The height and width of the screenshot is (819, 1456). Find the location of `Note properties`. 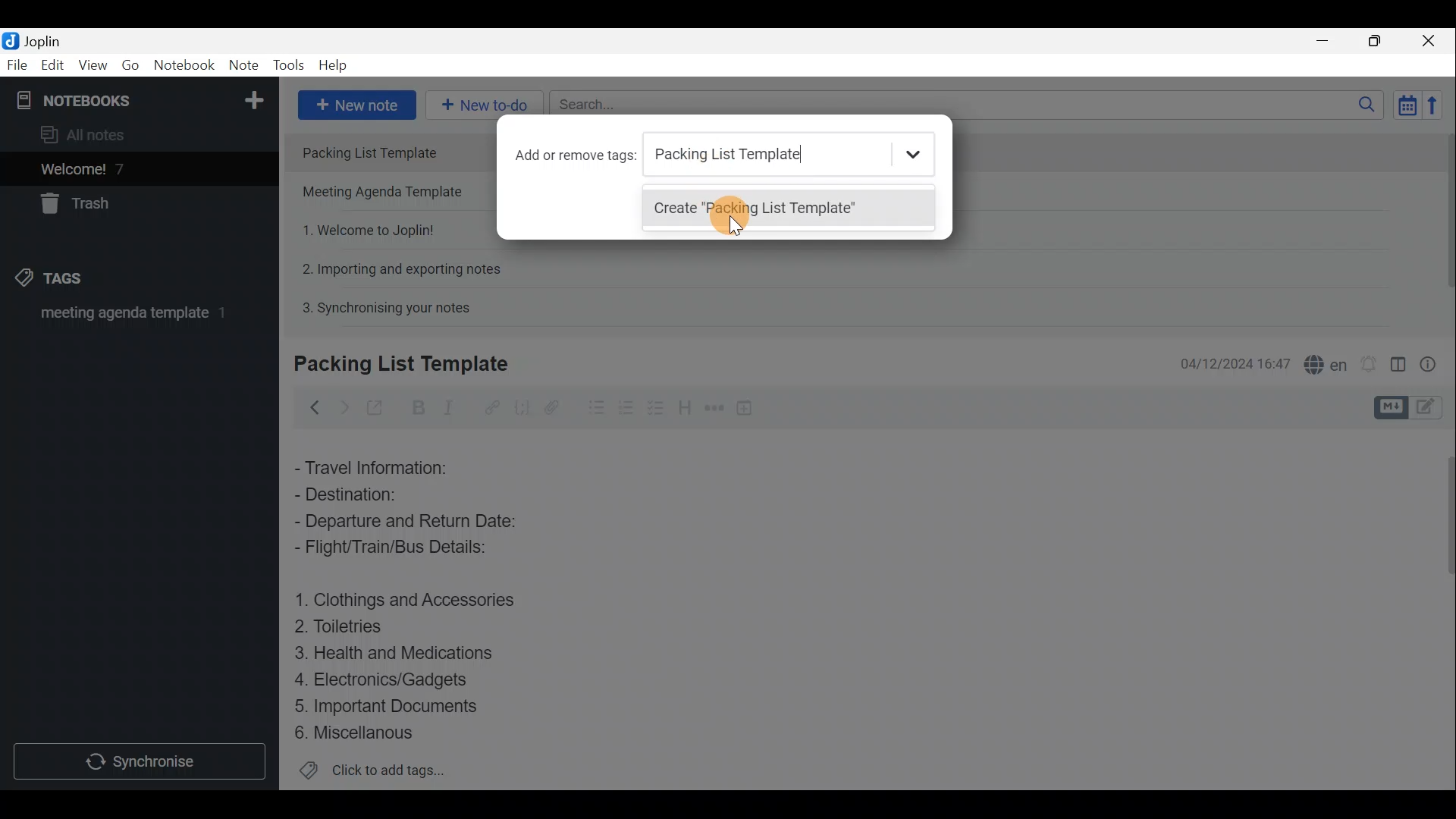

Note properties is located at coordinates (1433, 362).